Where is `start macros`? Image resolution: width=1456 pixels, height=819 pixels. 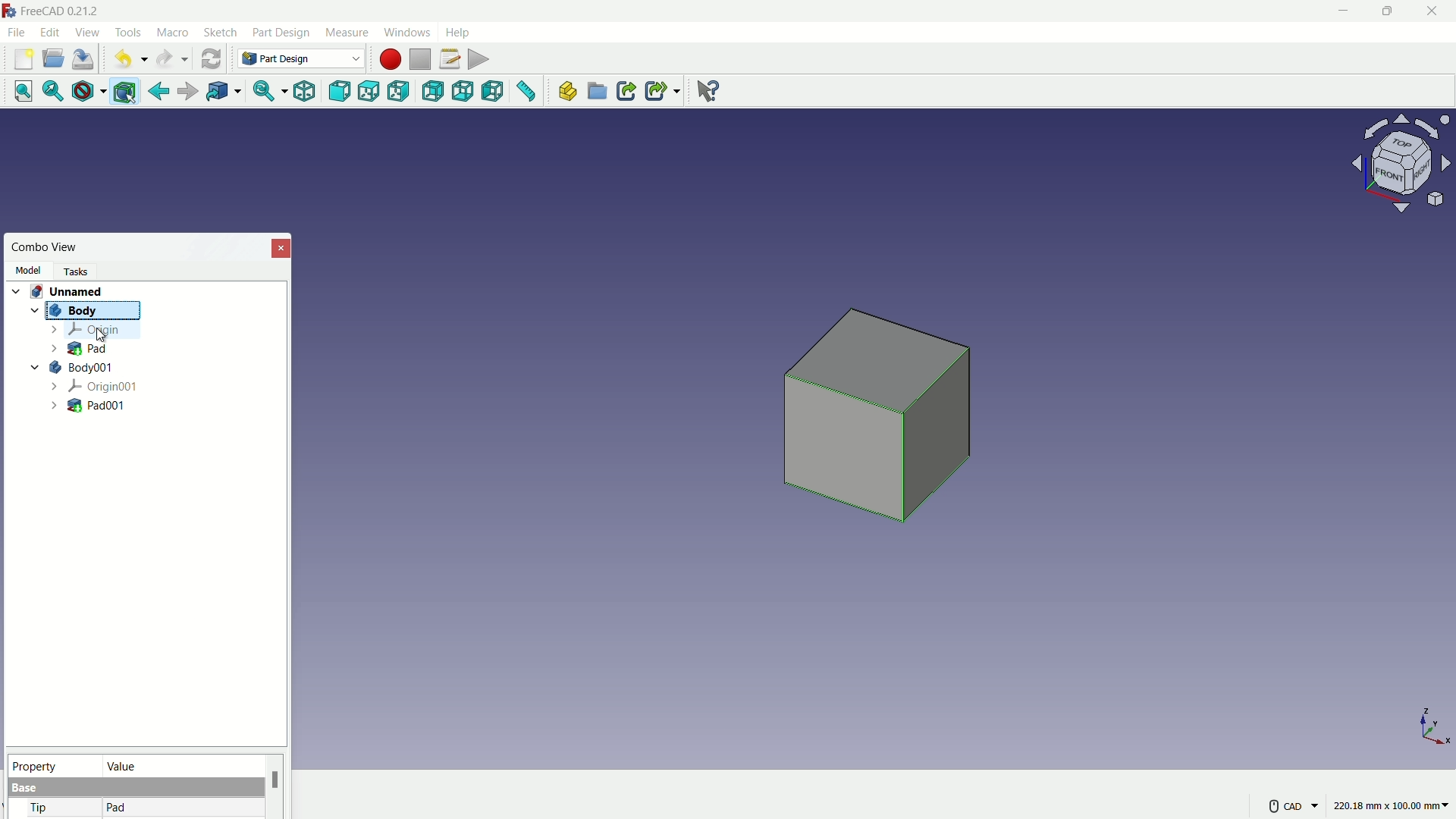
start macros is located at coordinates (389, 59).